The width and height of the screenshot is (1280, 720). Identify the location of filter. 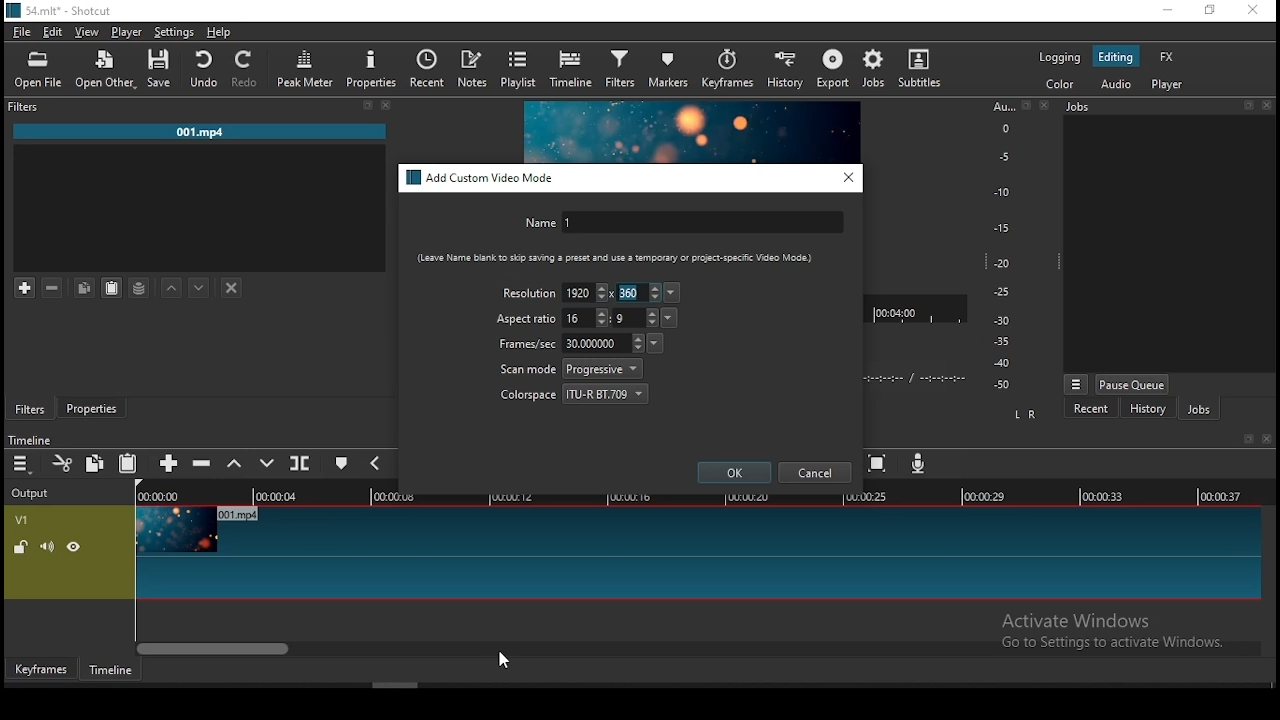
(621, 70).